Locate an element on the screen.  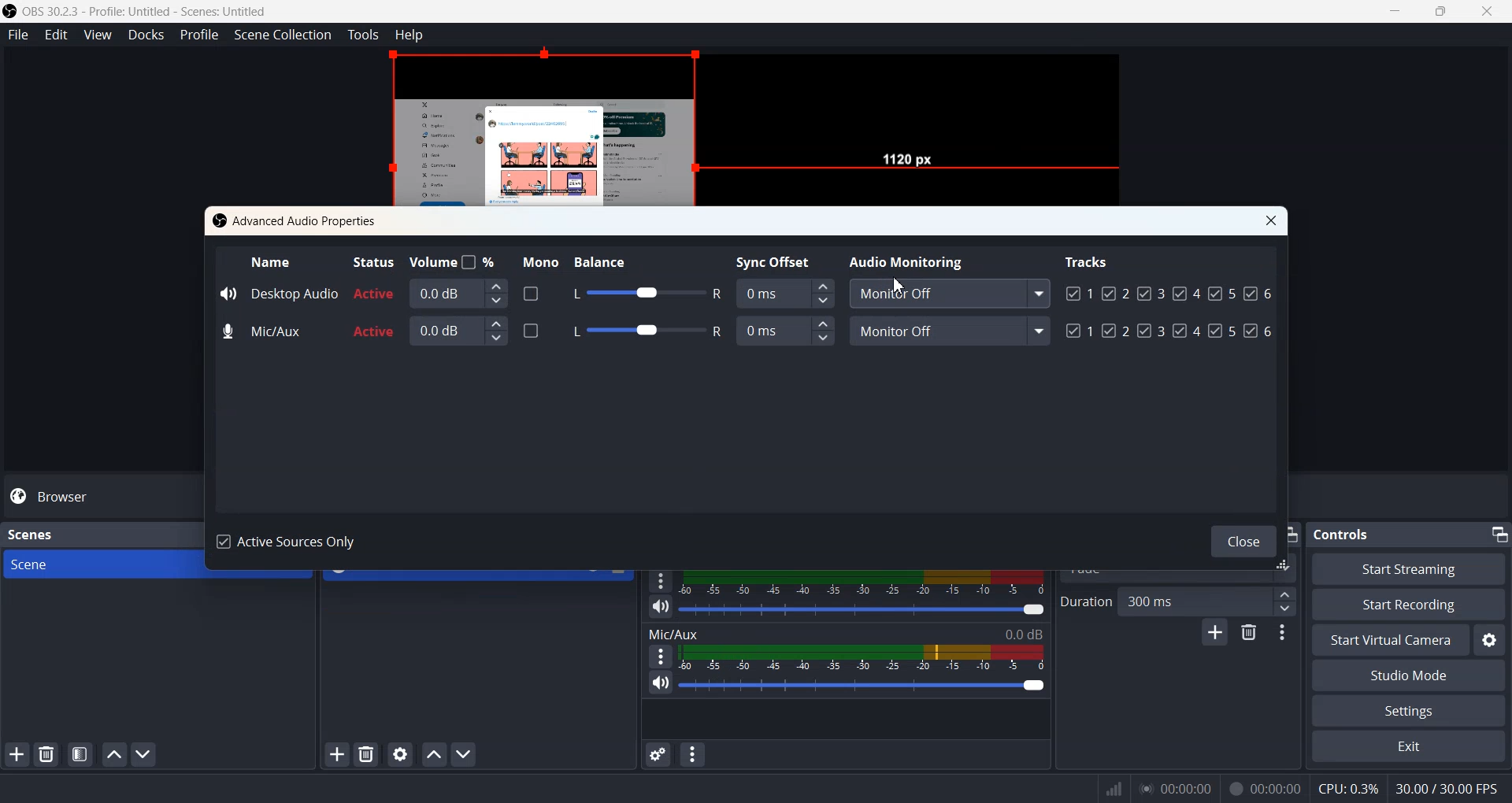
Sync Offset is located at coordinates (778, 260).